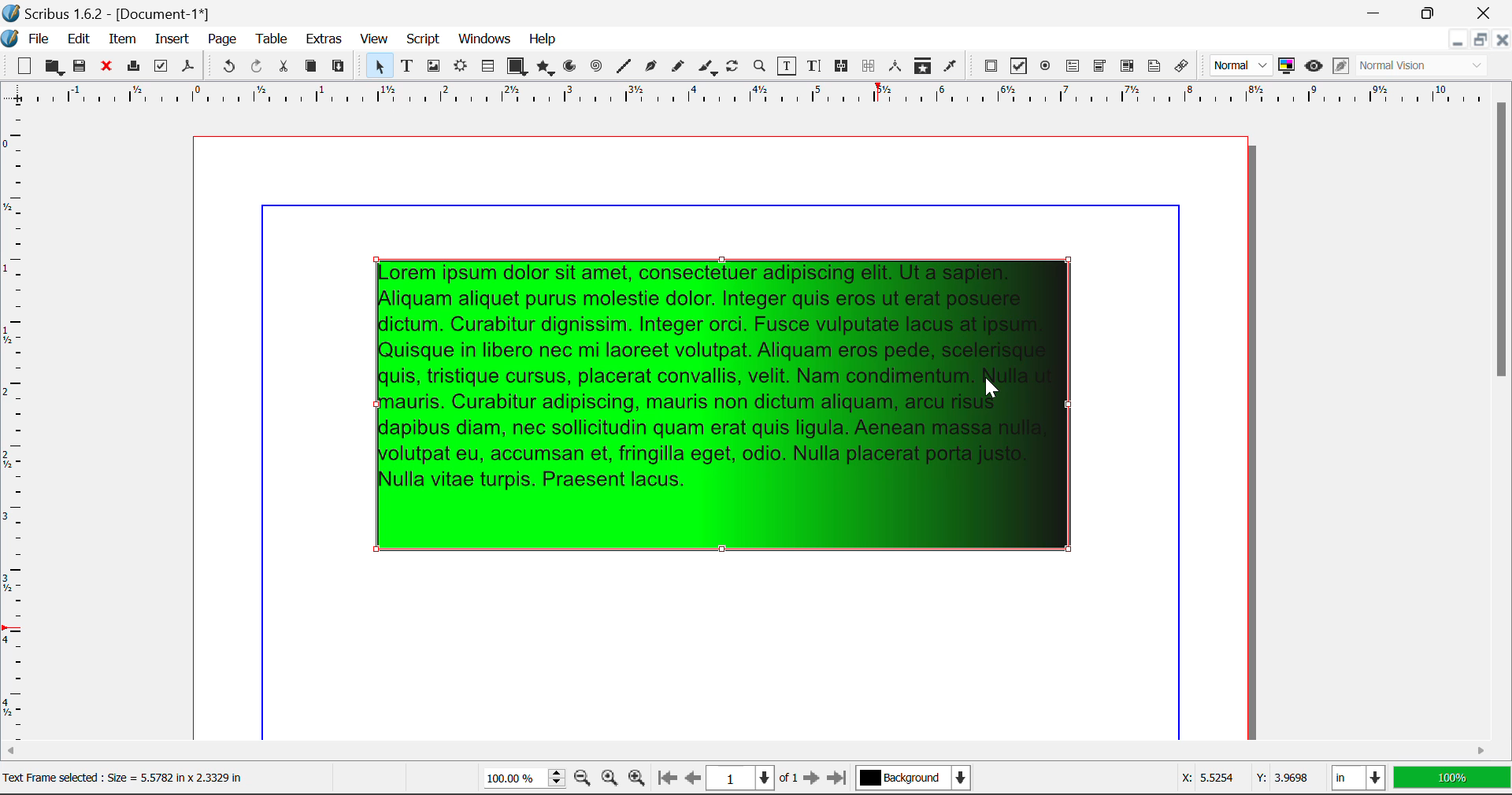 The image size is (1512, 795). Describe the element at coordinates (840, 781) in the screenshot. I see `Last Page` at that location.